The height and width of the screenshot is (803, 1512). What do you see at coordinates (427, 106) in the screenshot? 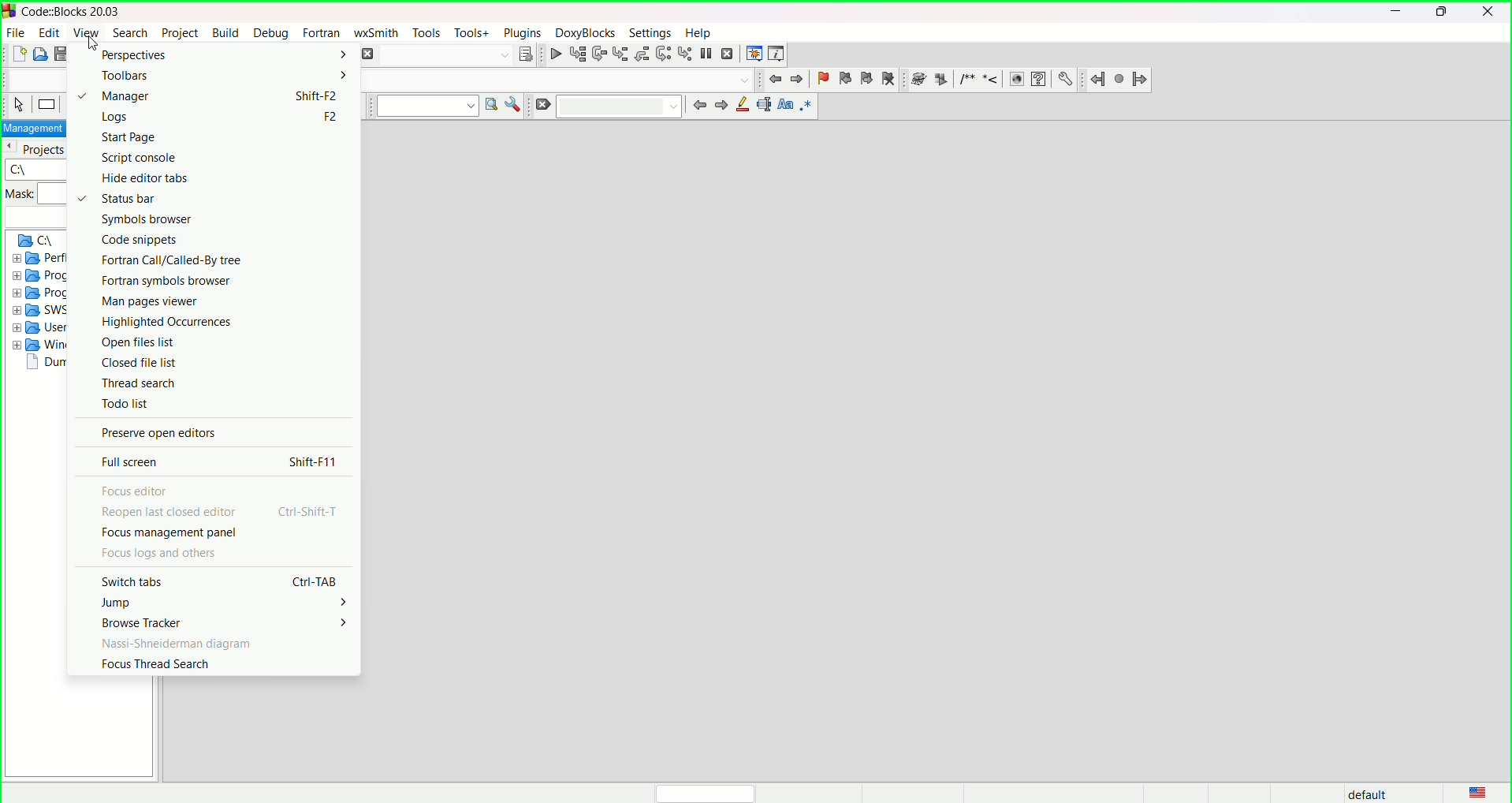
I see `text to search` at bounding box center [427, 106].